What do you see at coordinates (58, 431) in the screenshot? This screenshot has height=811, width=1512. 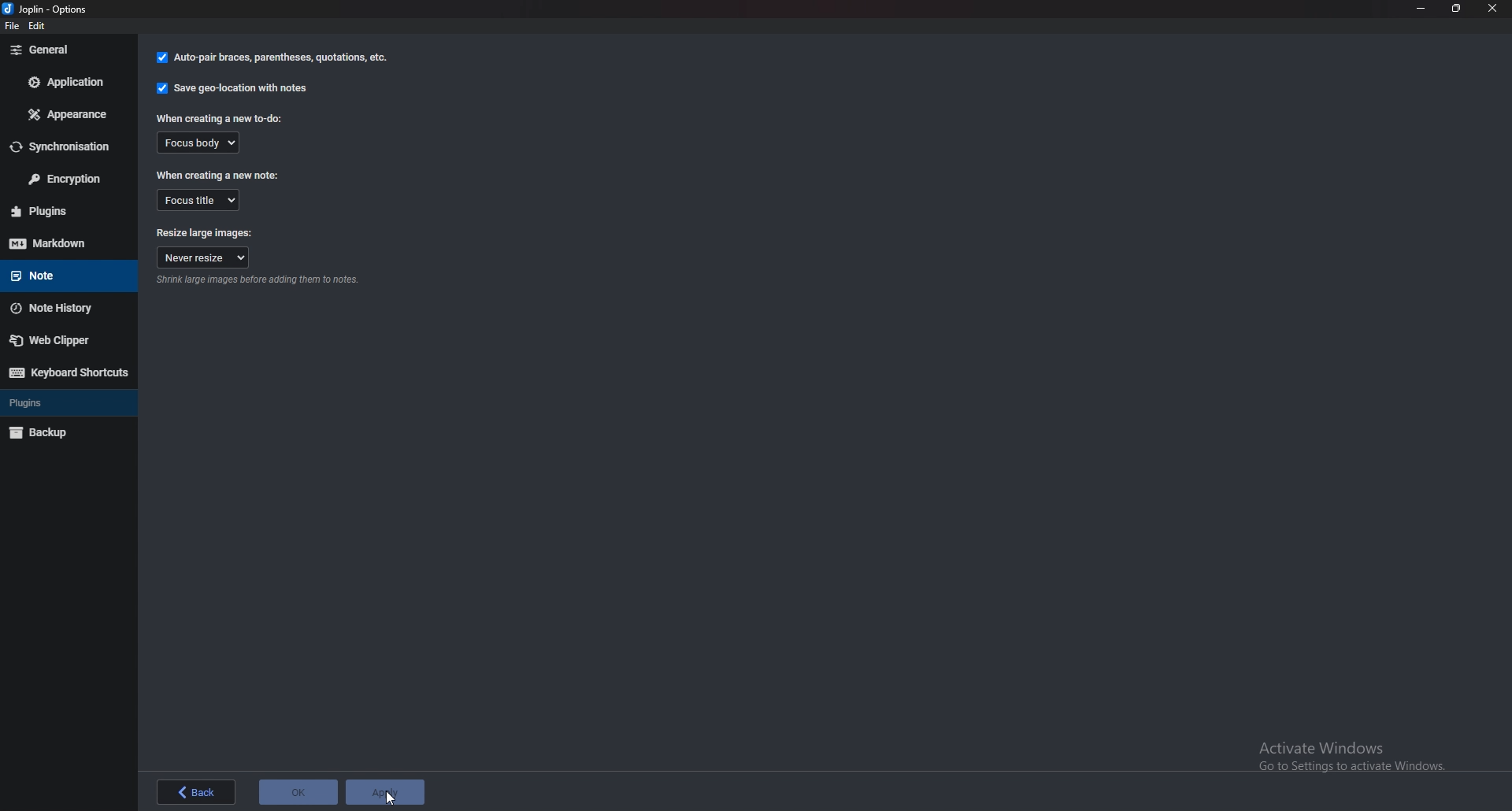 I see `Back up` at bounding box center [58, 431].